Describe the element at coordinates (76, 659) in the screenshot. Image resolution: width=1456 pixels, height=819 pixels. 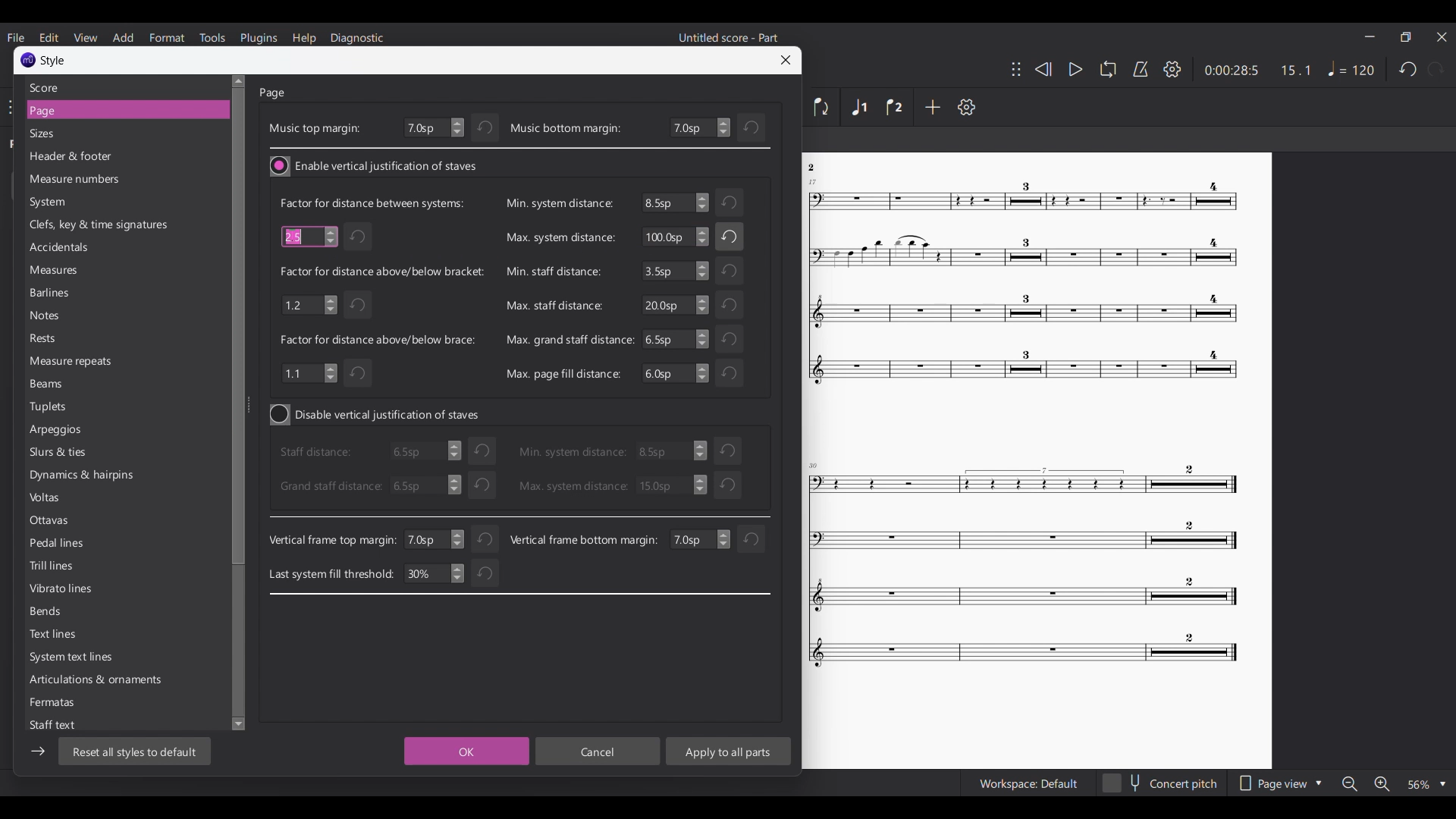
I see `System text line` at that location.